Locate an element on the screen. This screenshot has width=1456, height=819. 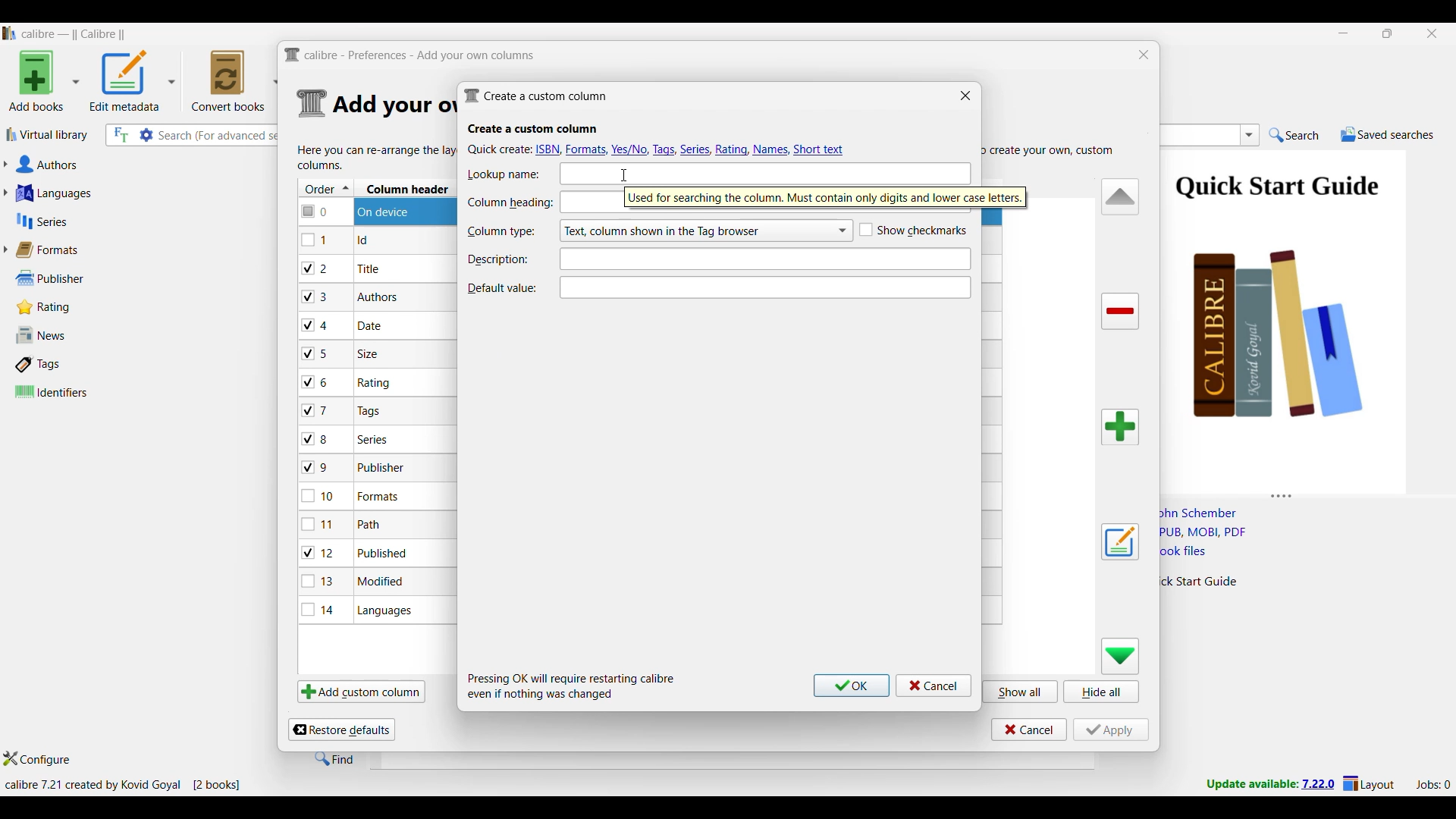
Change height of columns attached to this panel is located at coordinates (1307, 493).